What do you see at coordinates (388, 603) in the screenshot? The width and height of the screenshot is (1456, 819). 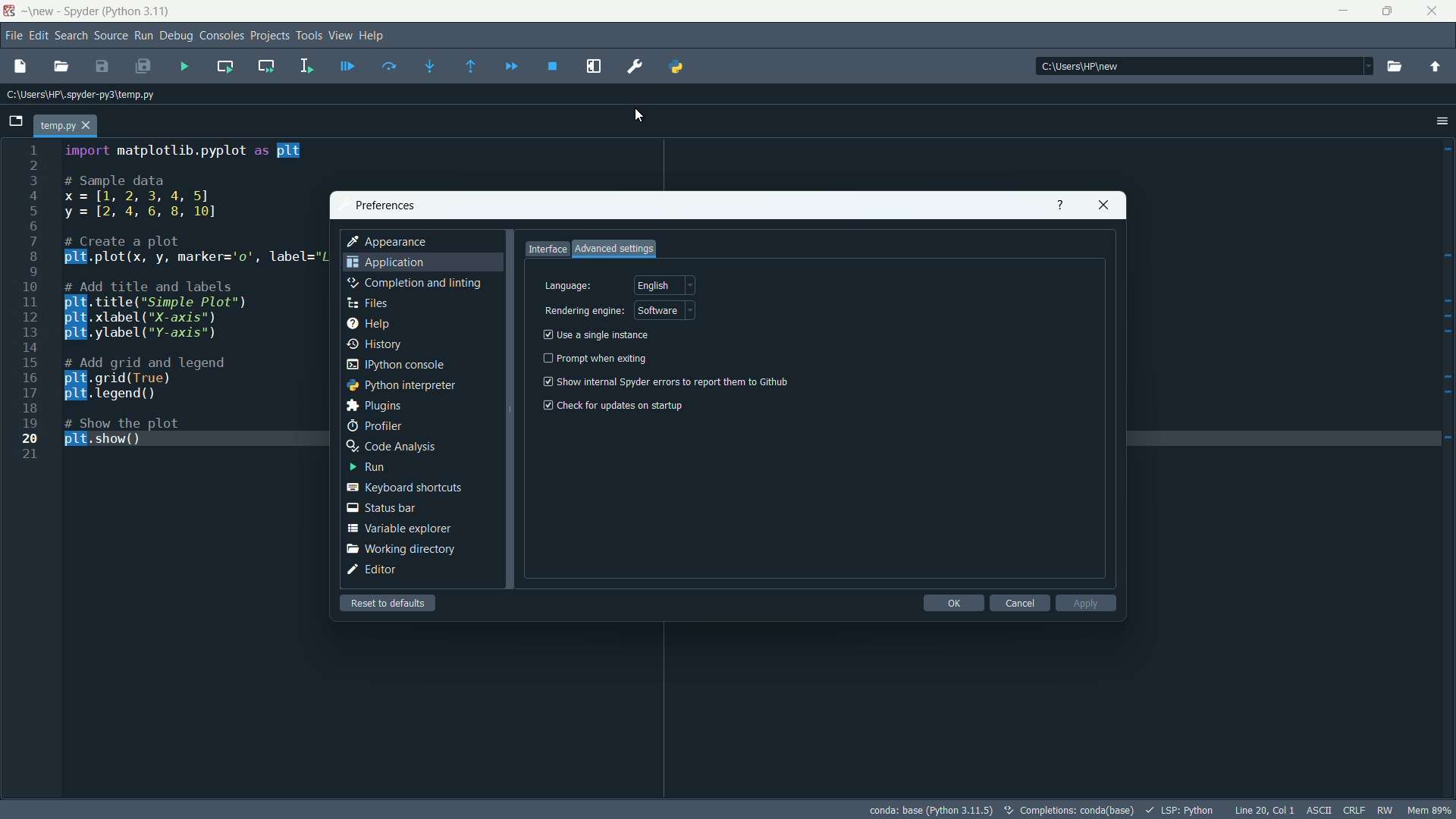 I see `reset to default` at bounding box center [388, 603].